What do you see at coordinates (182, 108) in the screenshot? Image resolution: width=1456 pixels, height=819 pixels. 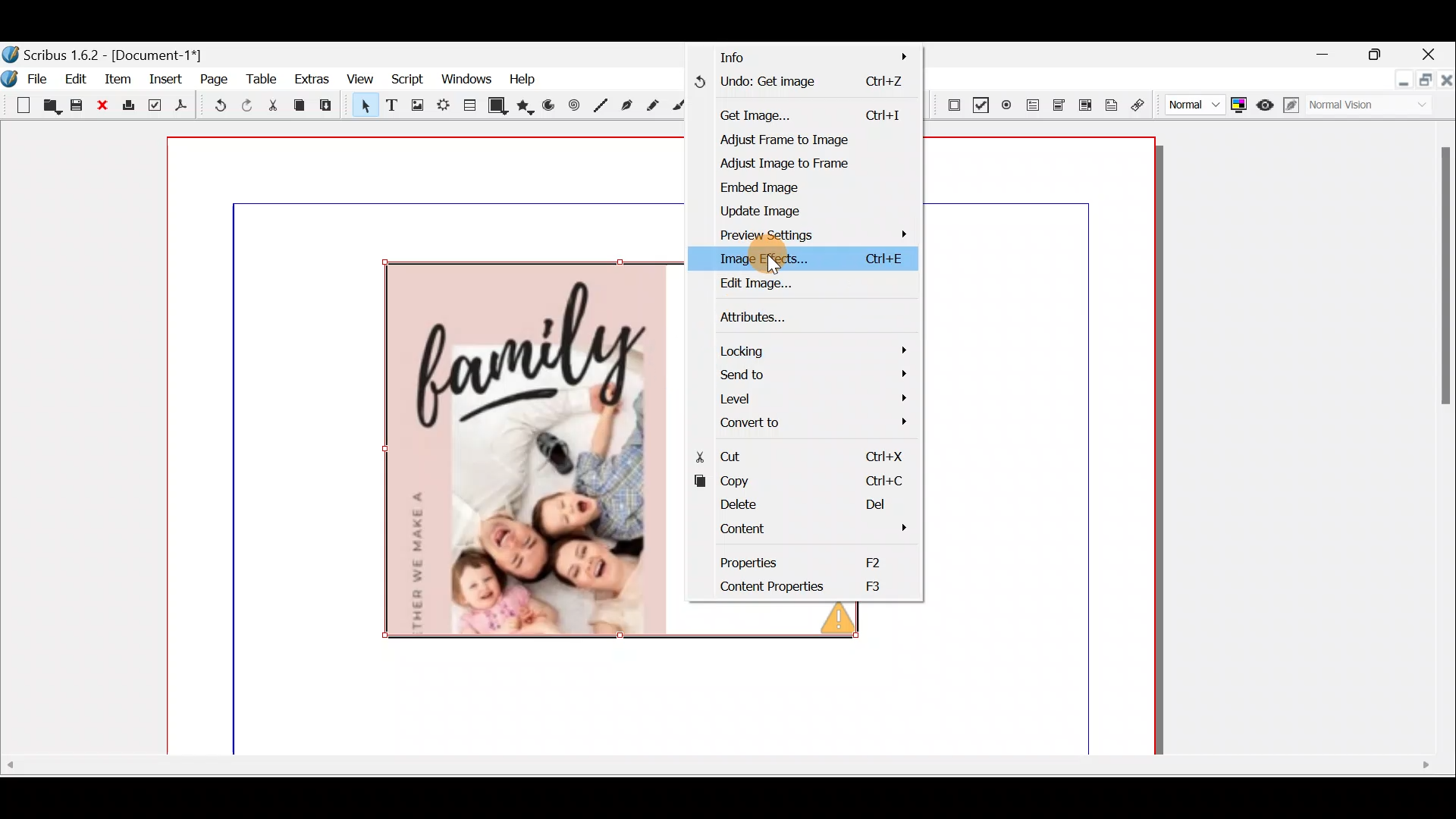 I see `Save as PDF` at bounding box center [182, 108].